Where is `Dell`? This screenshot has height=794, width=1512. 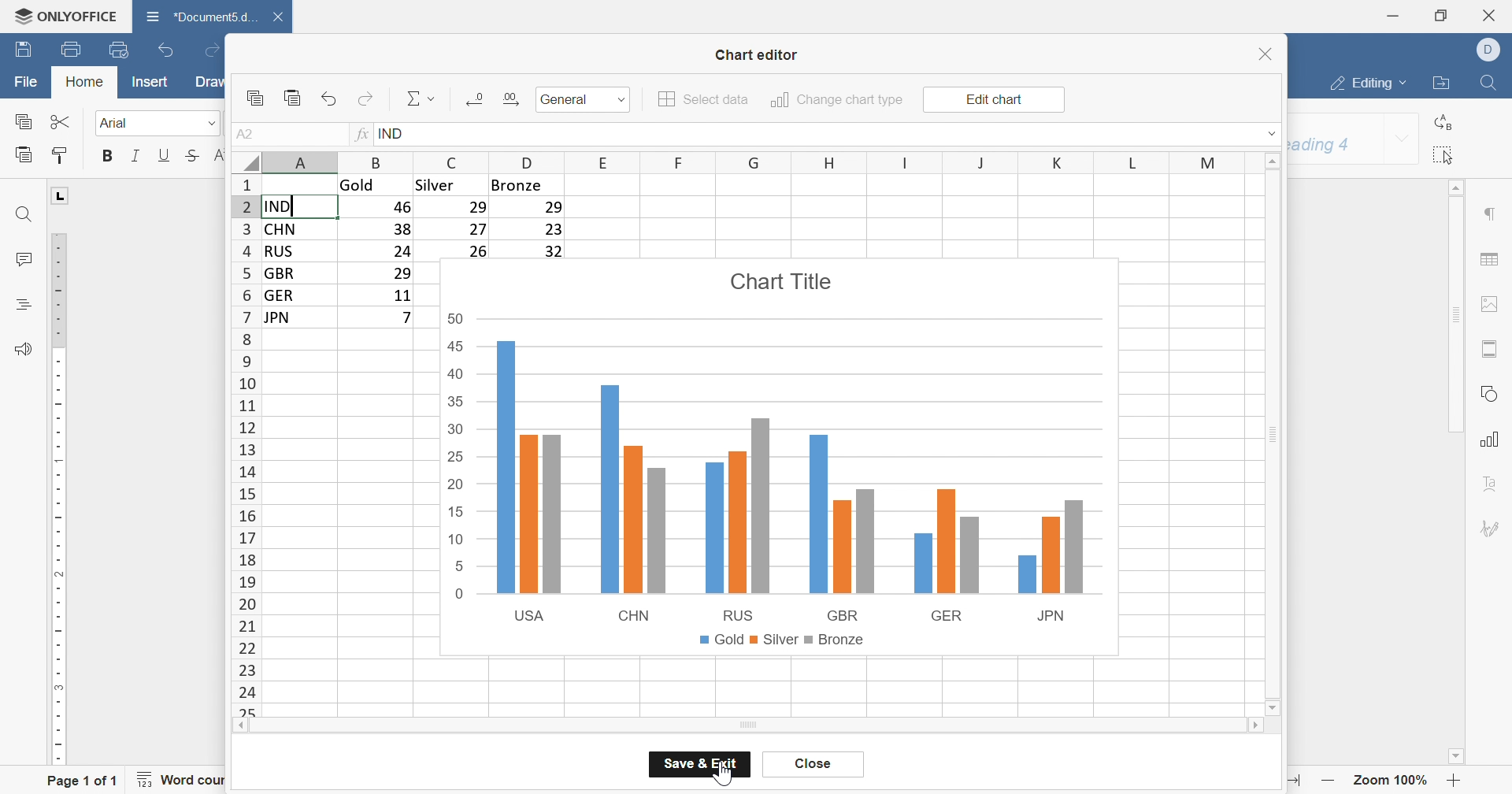
Dell is located at coordinates (1491, 49).